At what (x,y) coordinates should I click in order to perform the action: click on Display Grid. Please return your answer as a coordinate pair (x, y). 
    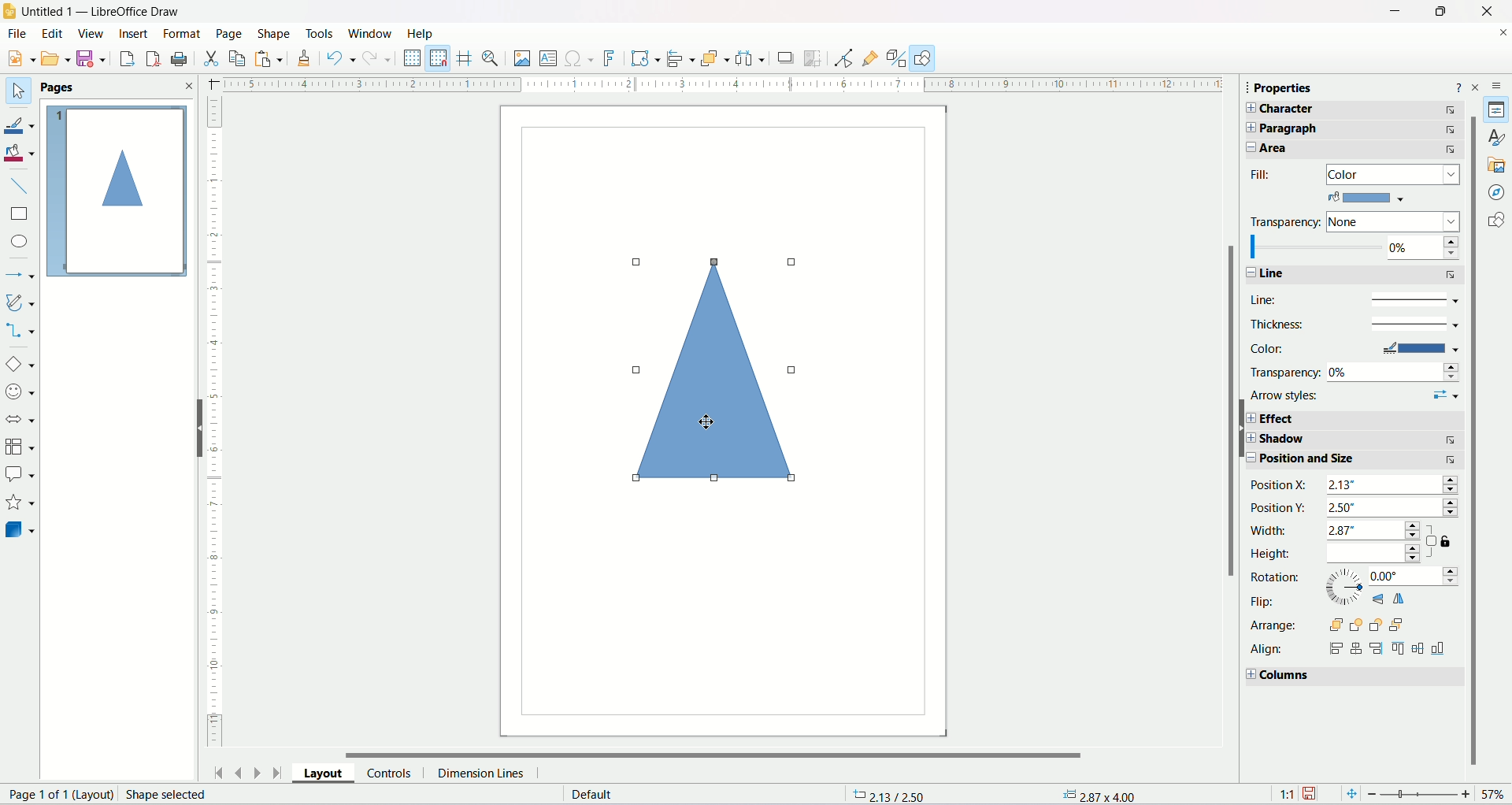
    Looking at the image, I should click on (412, 57).